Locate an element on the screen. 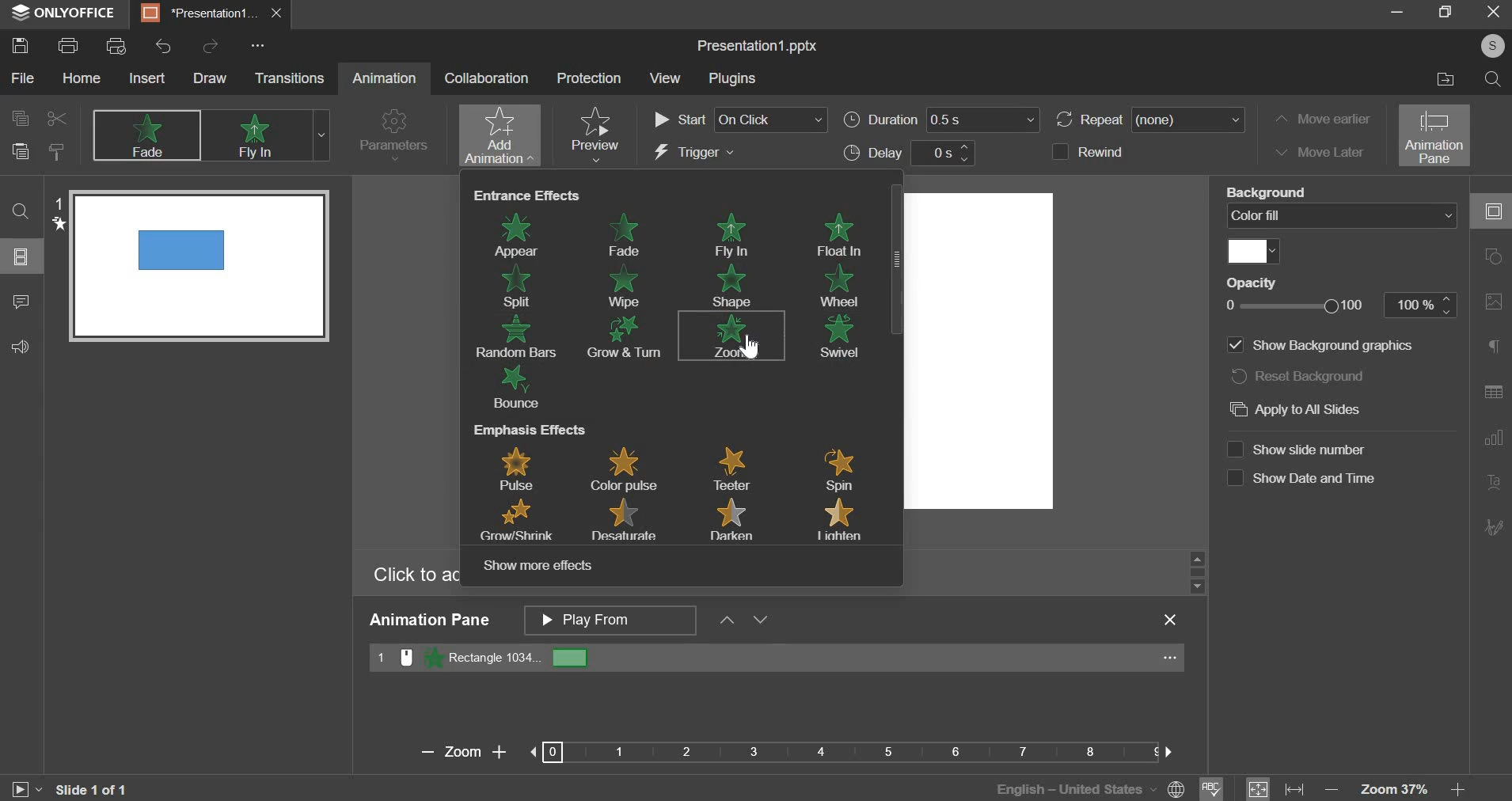 The width and height of the screenshot is (1512, 801). Zoom Out is located at coordinates (424, 752).